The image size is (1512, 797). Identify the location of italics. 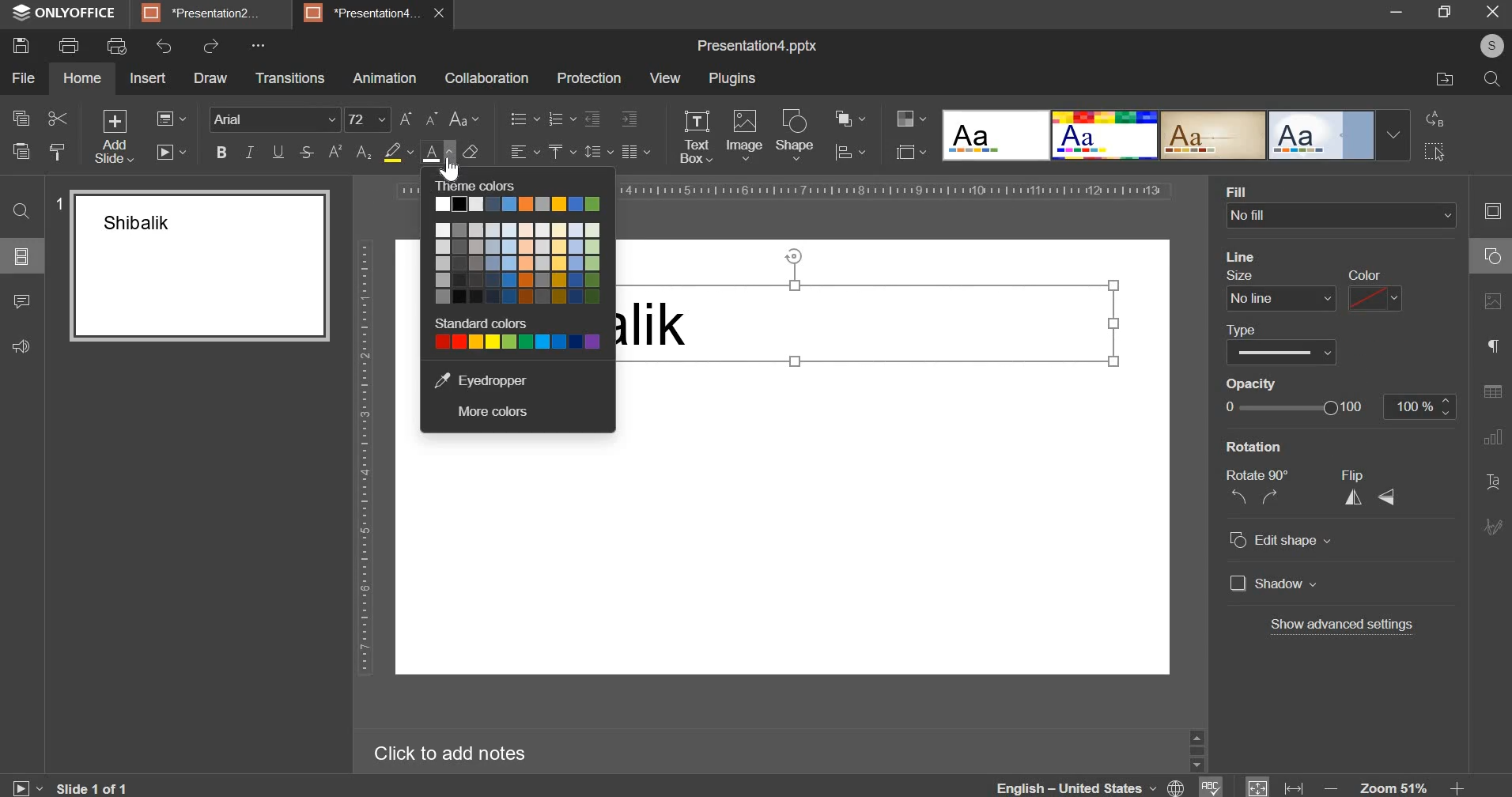
(250, 152).